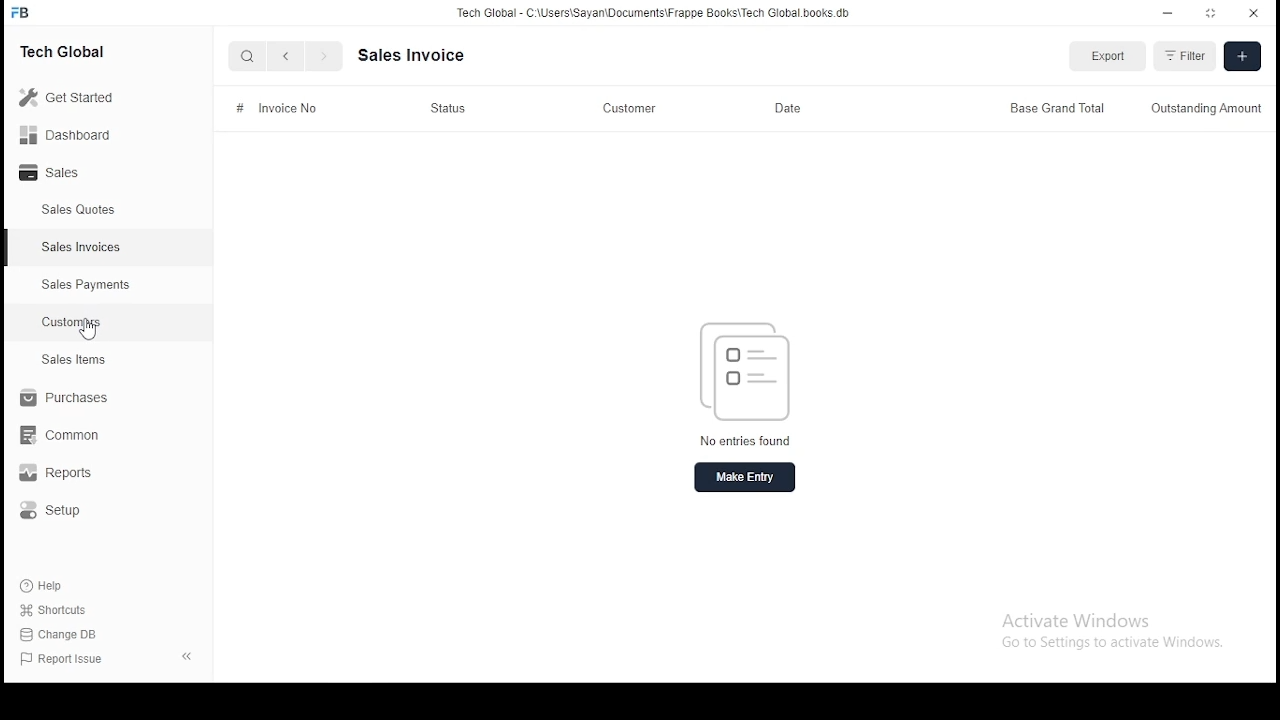 Image resolution: width=1280 pixels, height=720 pixels. What do you see at coordinates (1185, 55) in the screenshot?
I see `filter` at bounding box center [1185, 55].